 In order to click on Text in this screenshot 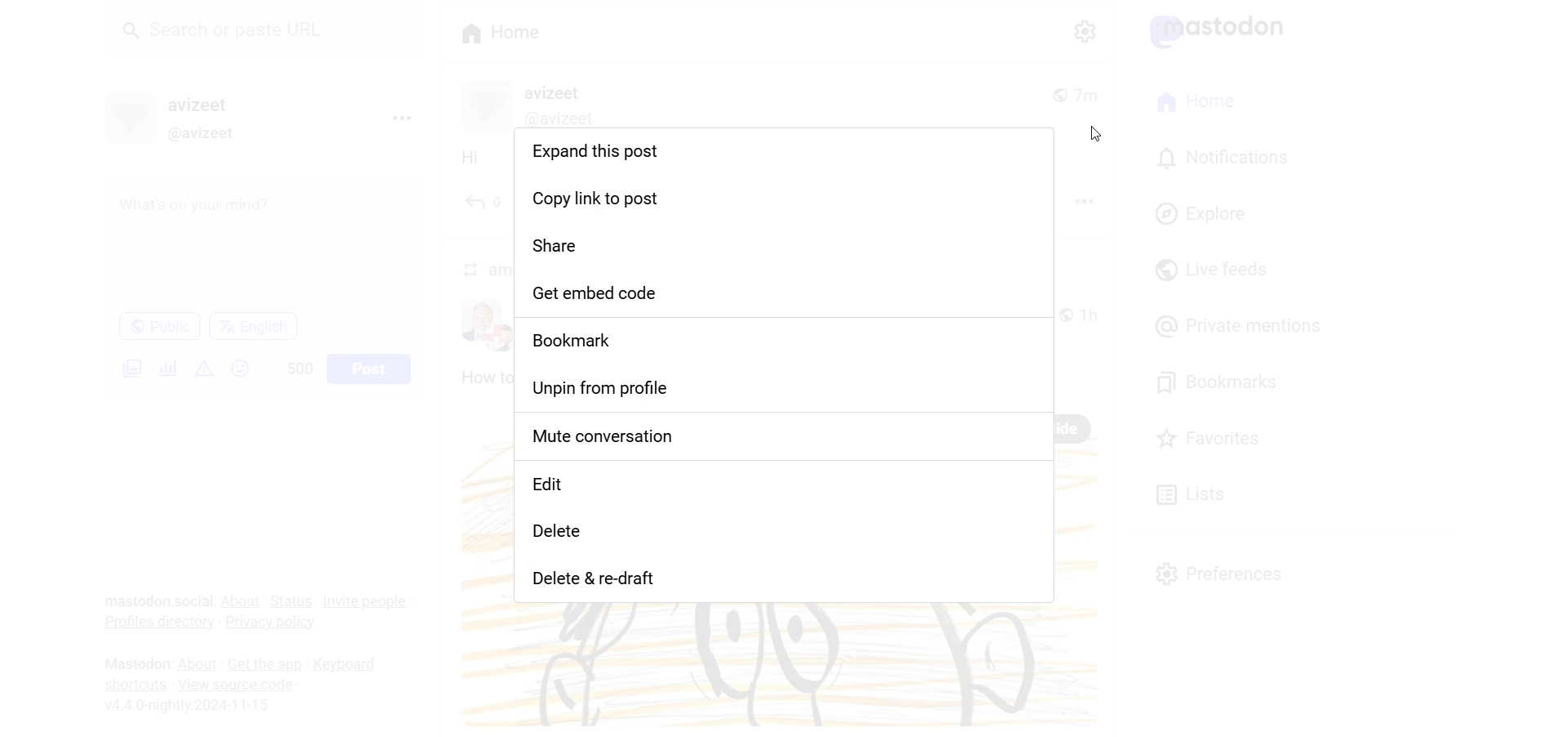, I will do `click(158, 601)`.